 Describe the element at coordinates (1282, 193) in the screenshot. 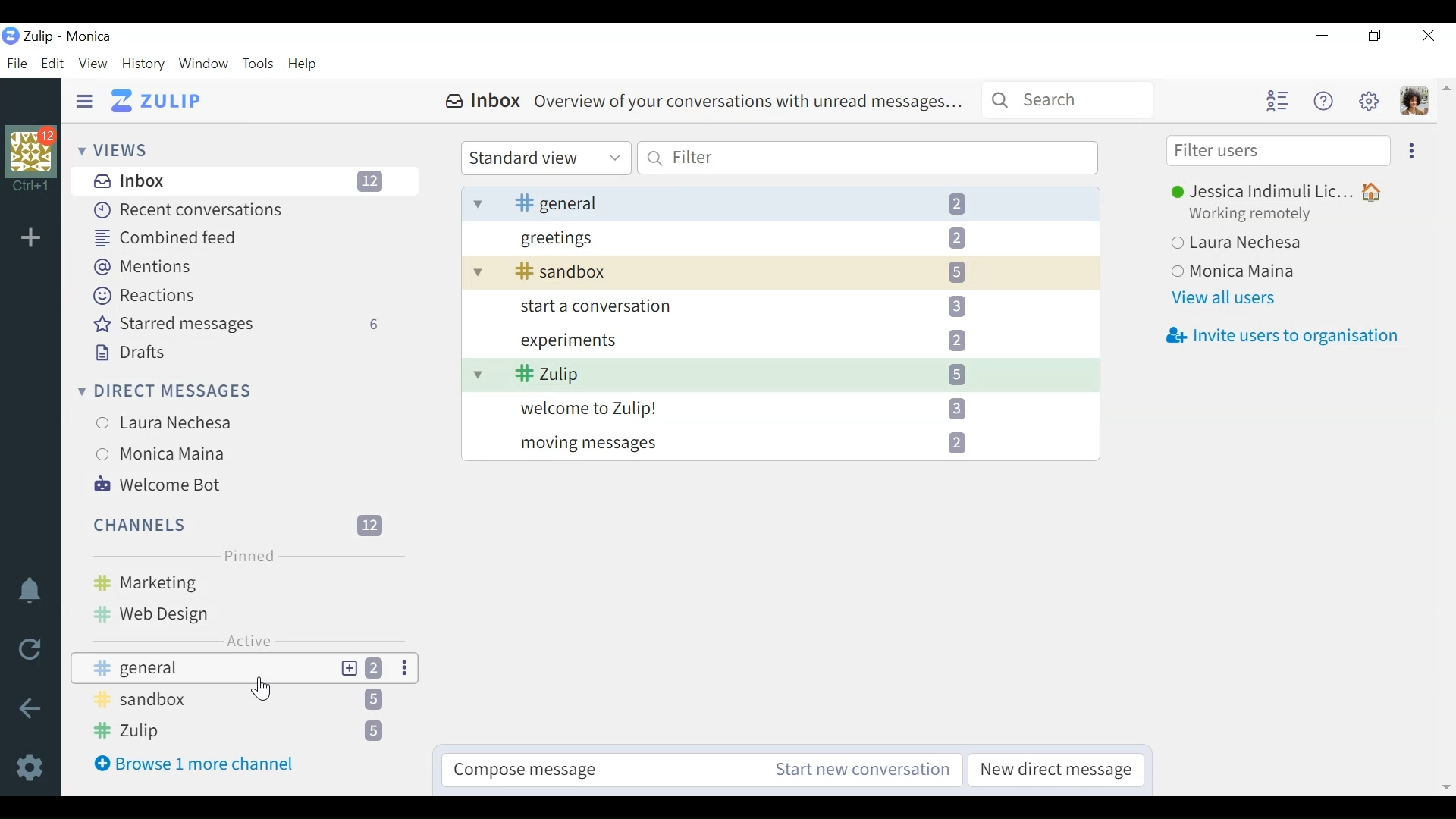

I see `Jessica Indimuli Lic...` at that location.